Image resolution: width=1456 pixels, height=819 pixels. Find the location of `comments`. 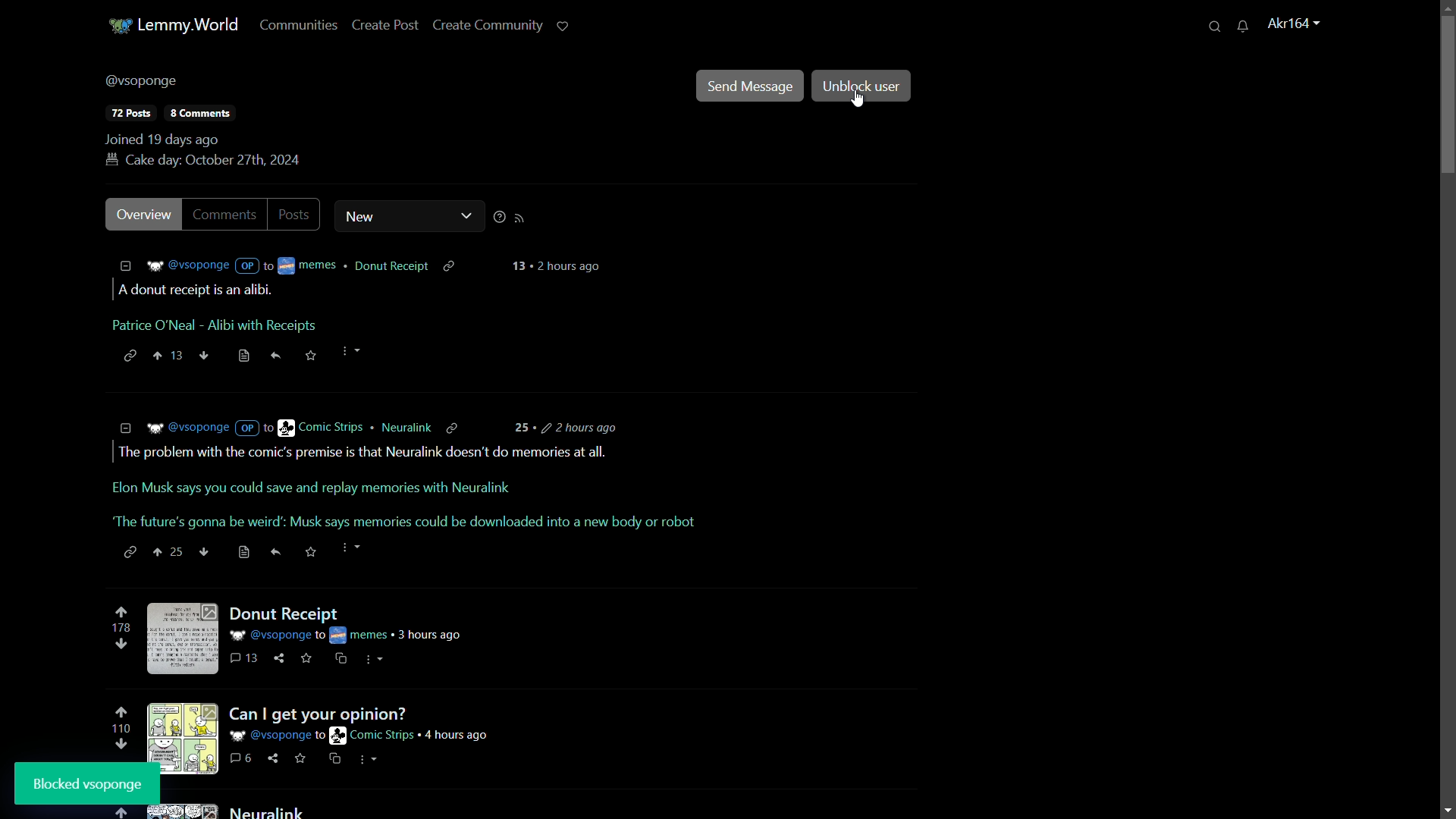

comments is located at coordinates (243, 662).